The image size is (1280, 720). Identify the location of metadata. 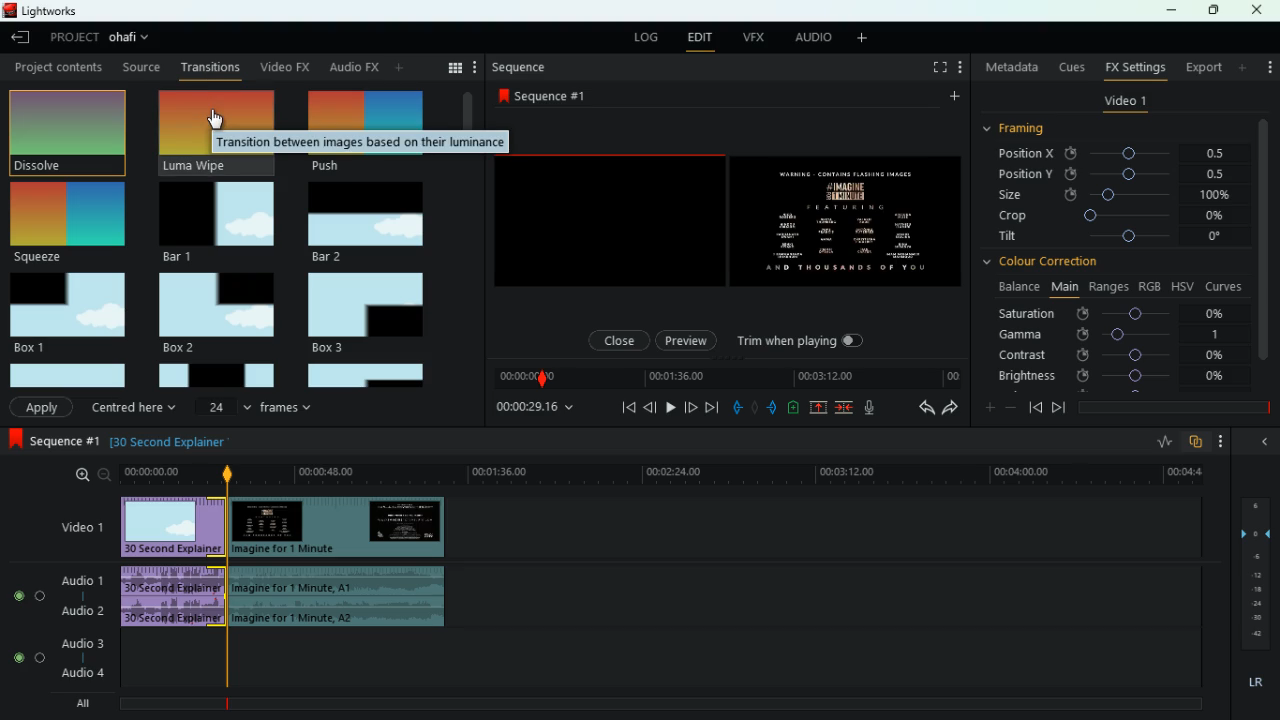
(1012, 67).